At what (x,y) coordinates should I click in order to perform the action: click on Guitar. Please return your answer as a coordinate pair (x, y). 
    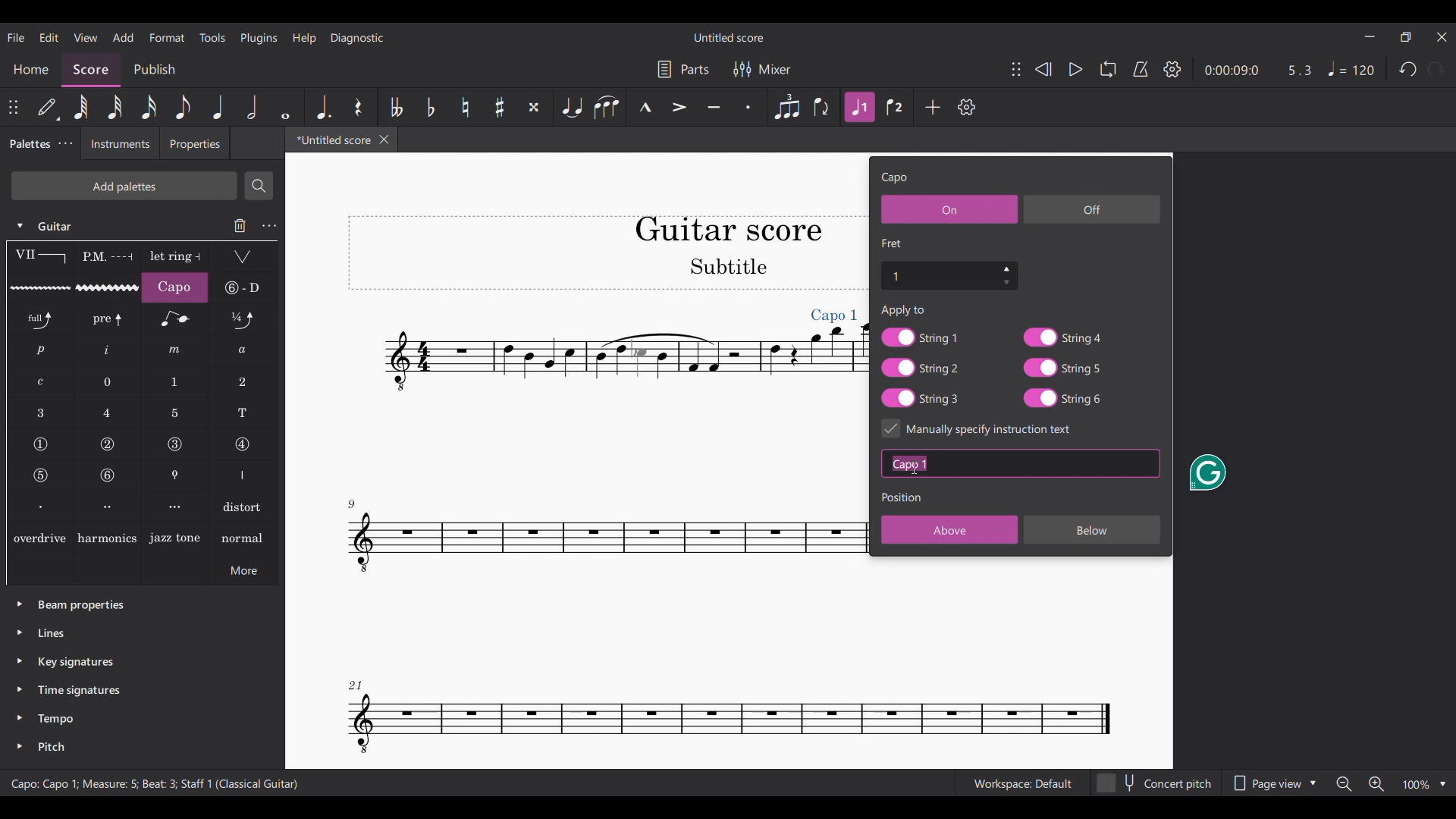
    Looking at the image, I should click on (58, 226).